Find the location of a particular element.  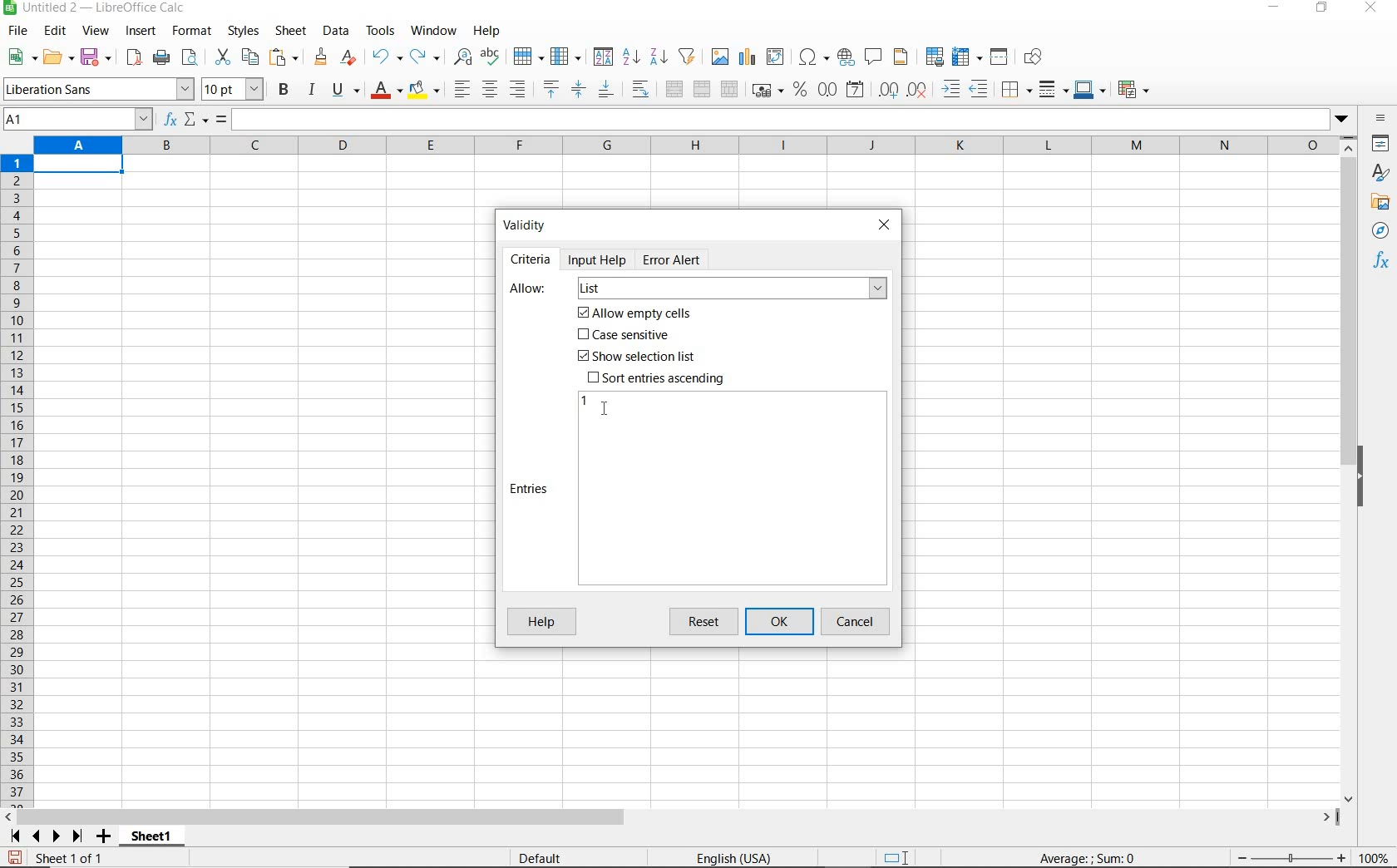

Allow empty cells is located at coordinates (636, 313).